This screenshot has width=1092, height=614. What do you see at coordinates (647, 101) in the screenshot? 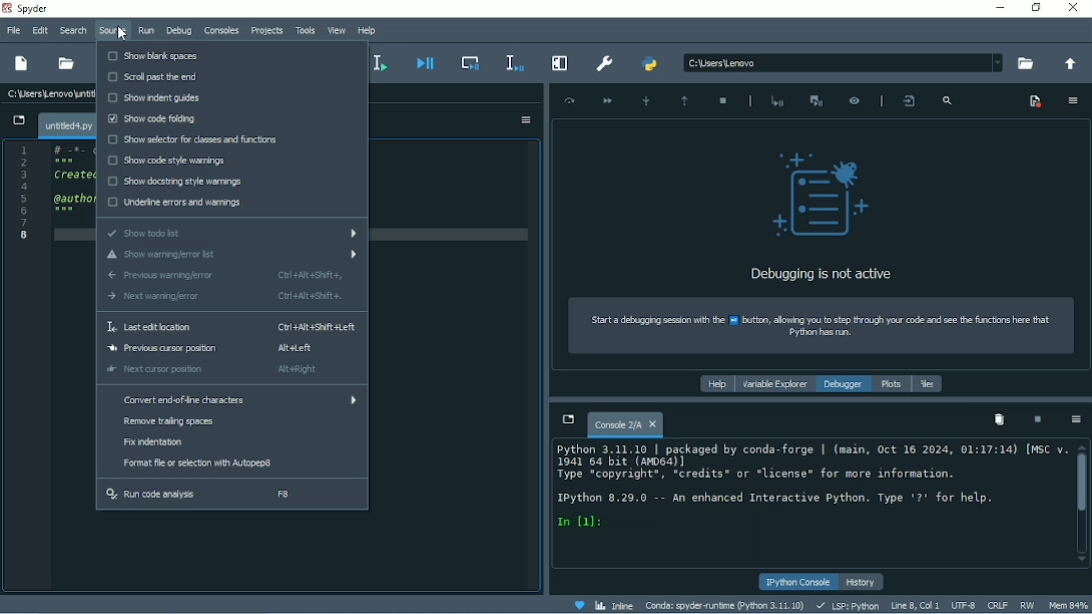
I see `Step into function or method` at bounding box center [647, 101].